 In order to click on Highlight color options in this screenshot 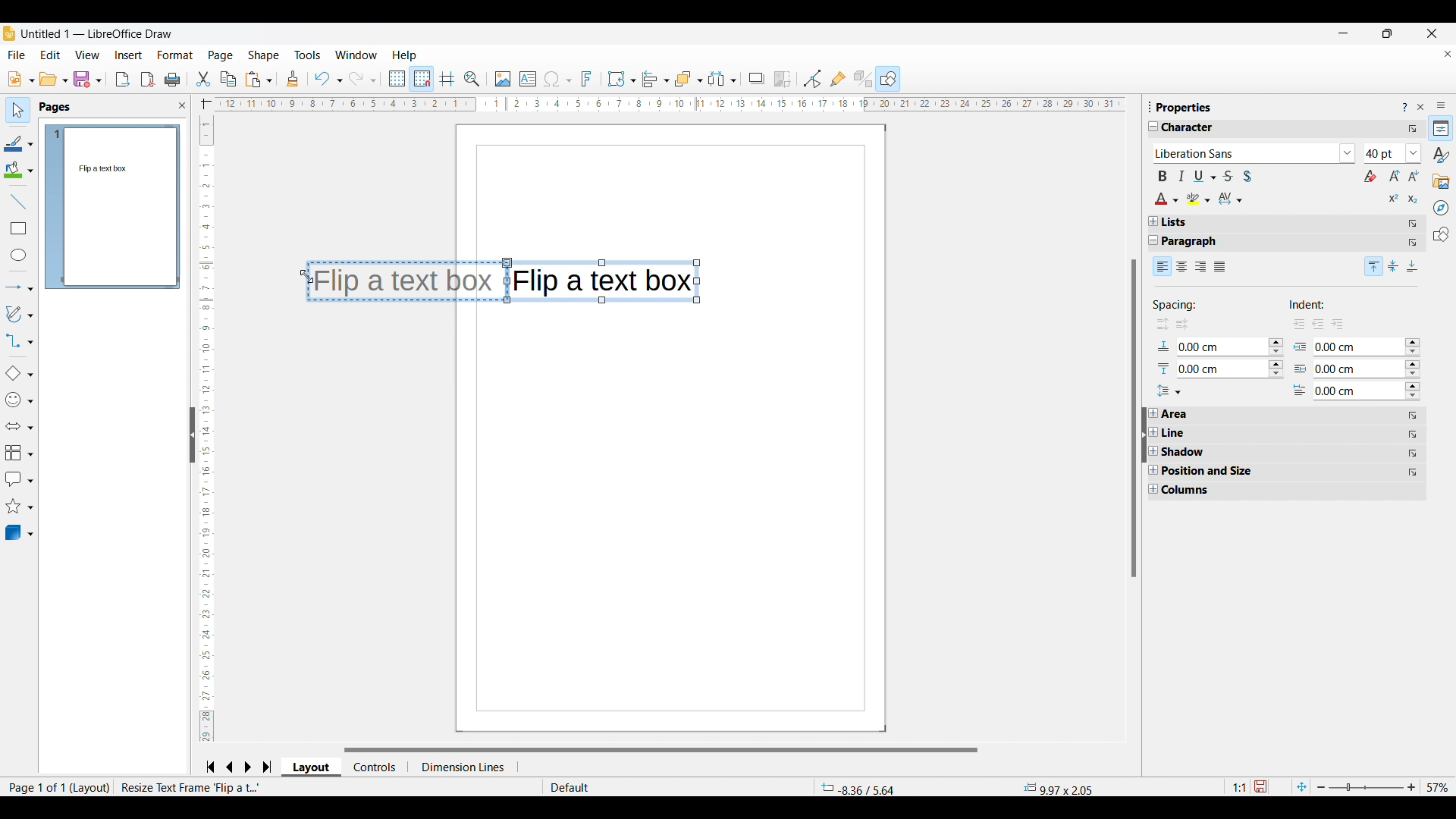, I will do `click(1199, 199)`.